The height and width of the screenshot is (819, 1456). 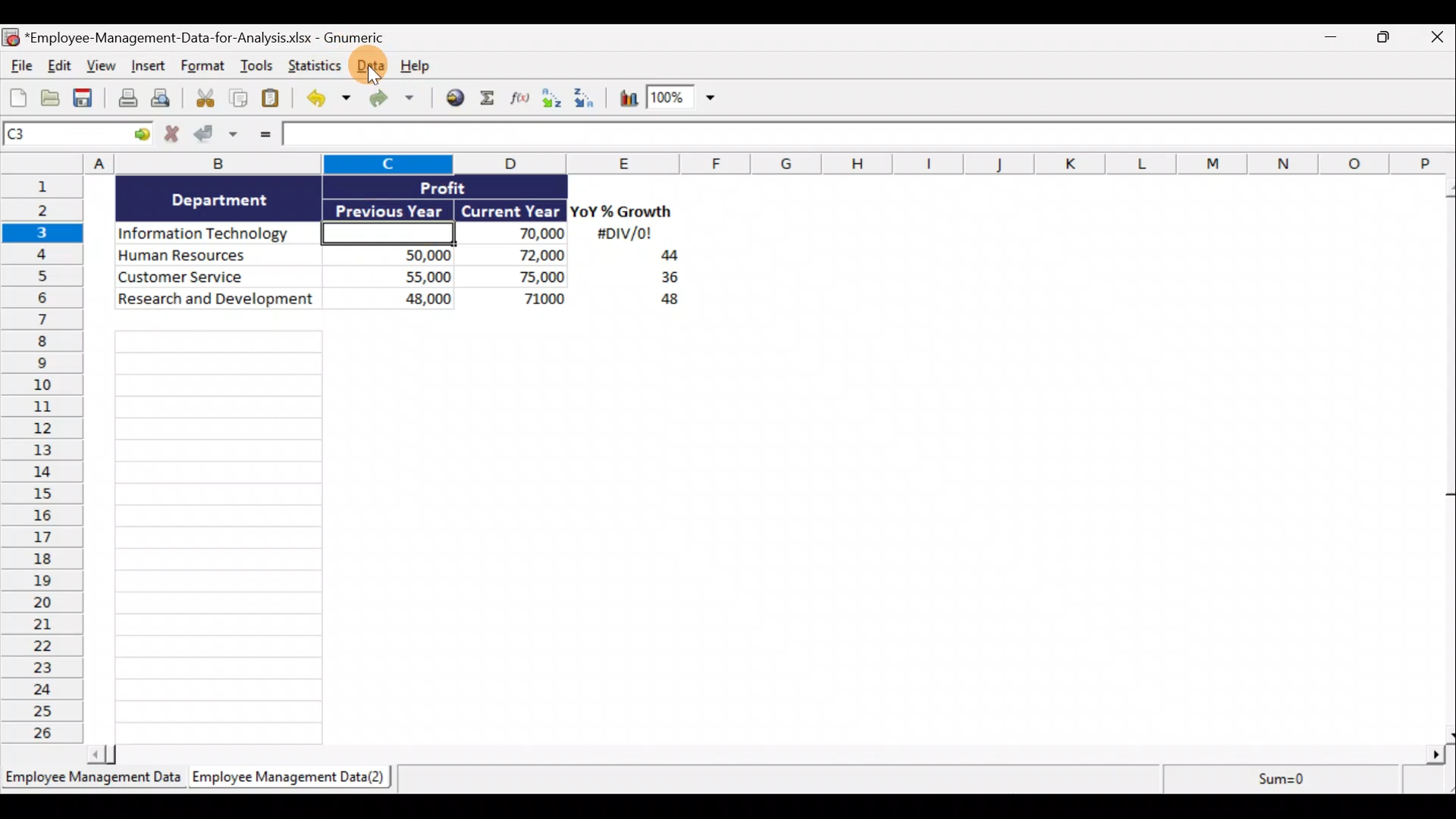 What do you see at coordinates (218, 275) in the screenshot?
I see `Customer Service` at bounding box center [218, 275].